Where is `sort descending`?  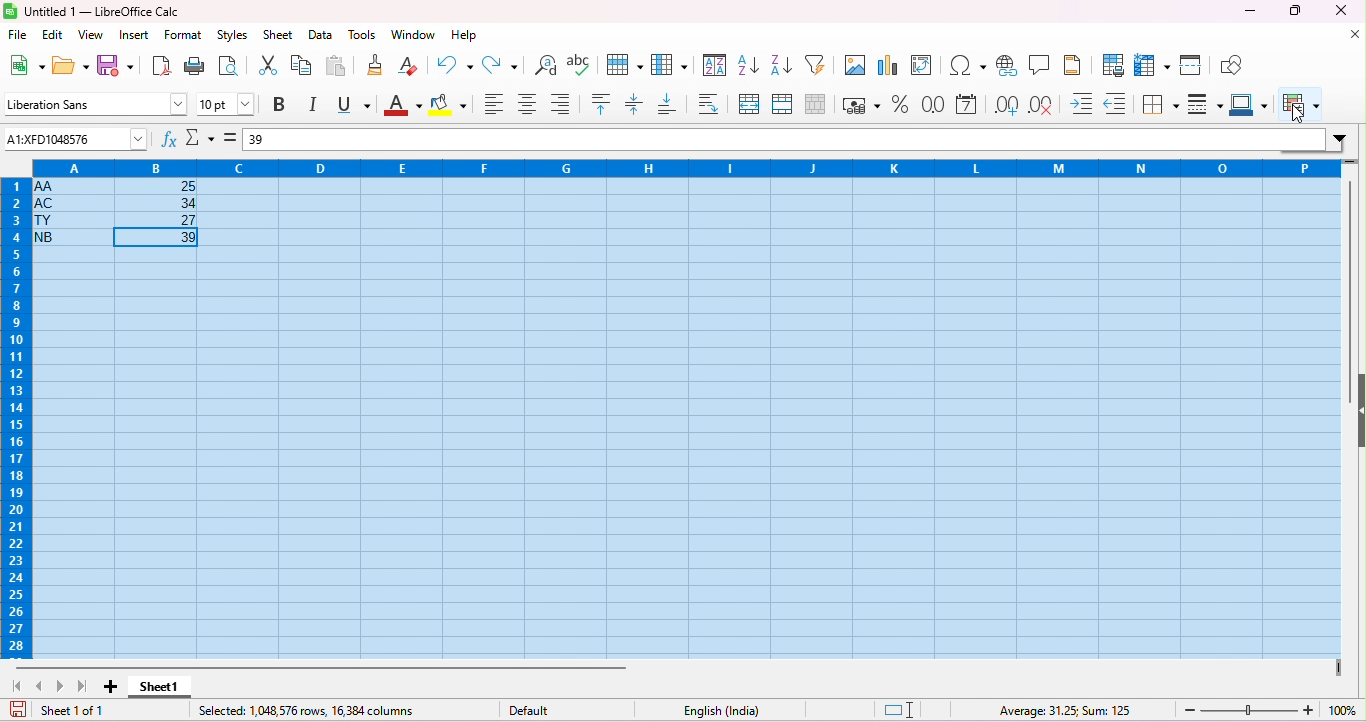
sort descending is located at coordinates (781, 63).